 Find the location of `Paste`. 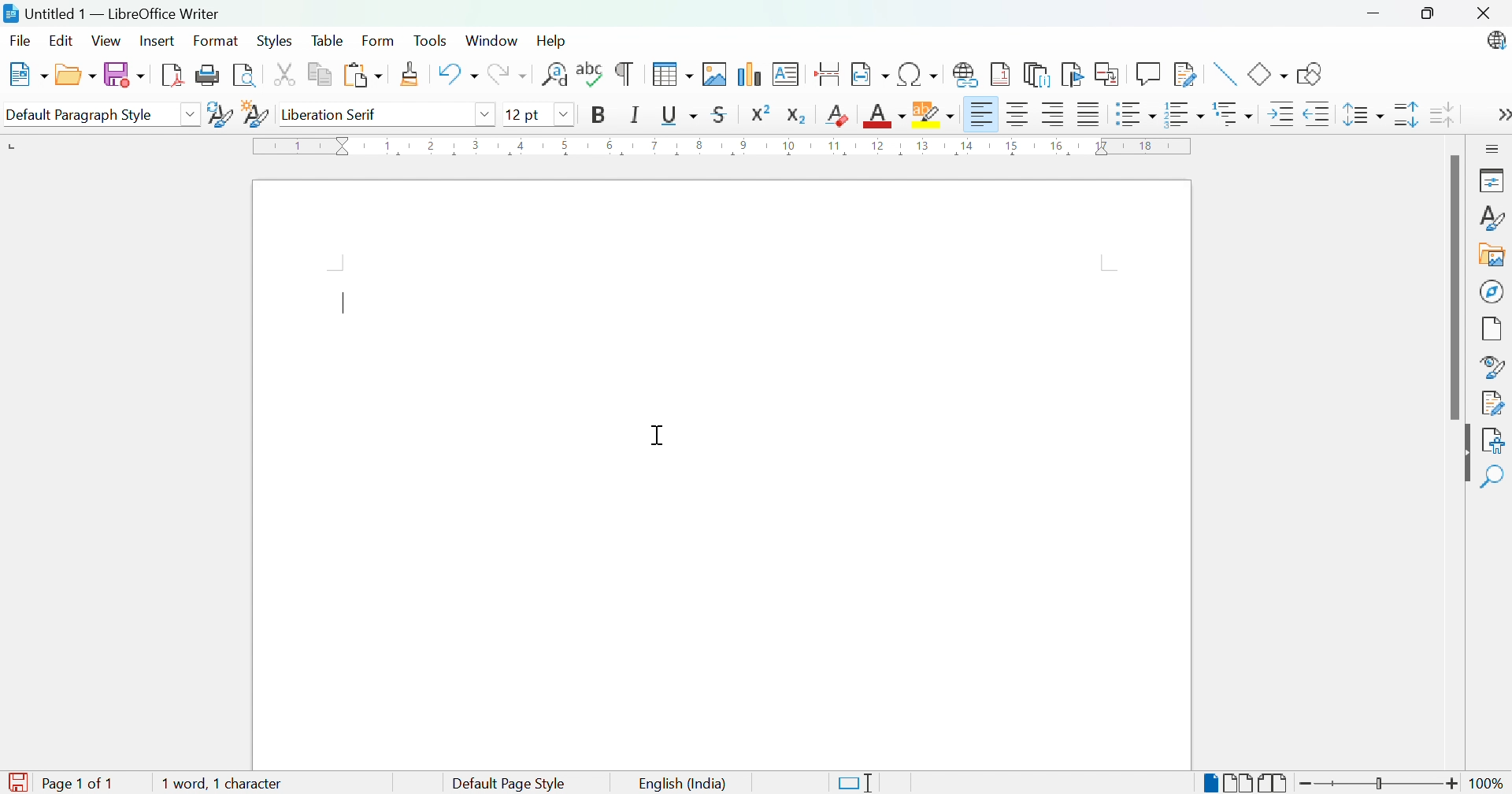

Paste is located at coordinates (362, 73).